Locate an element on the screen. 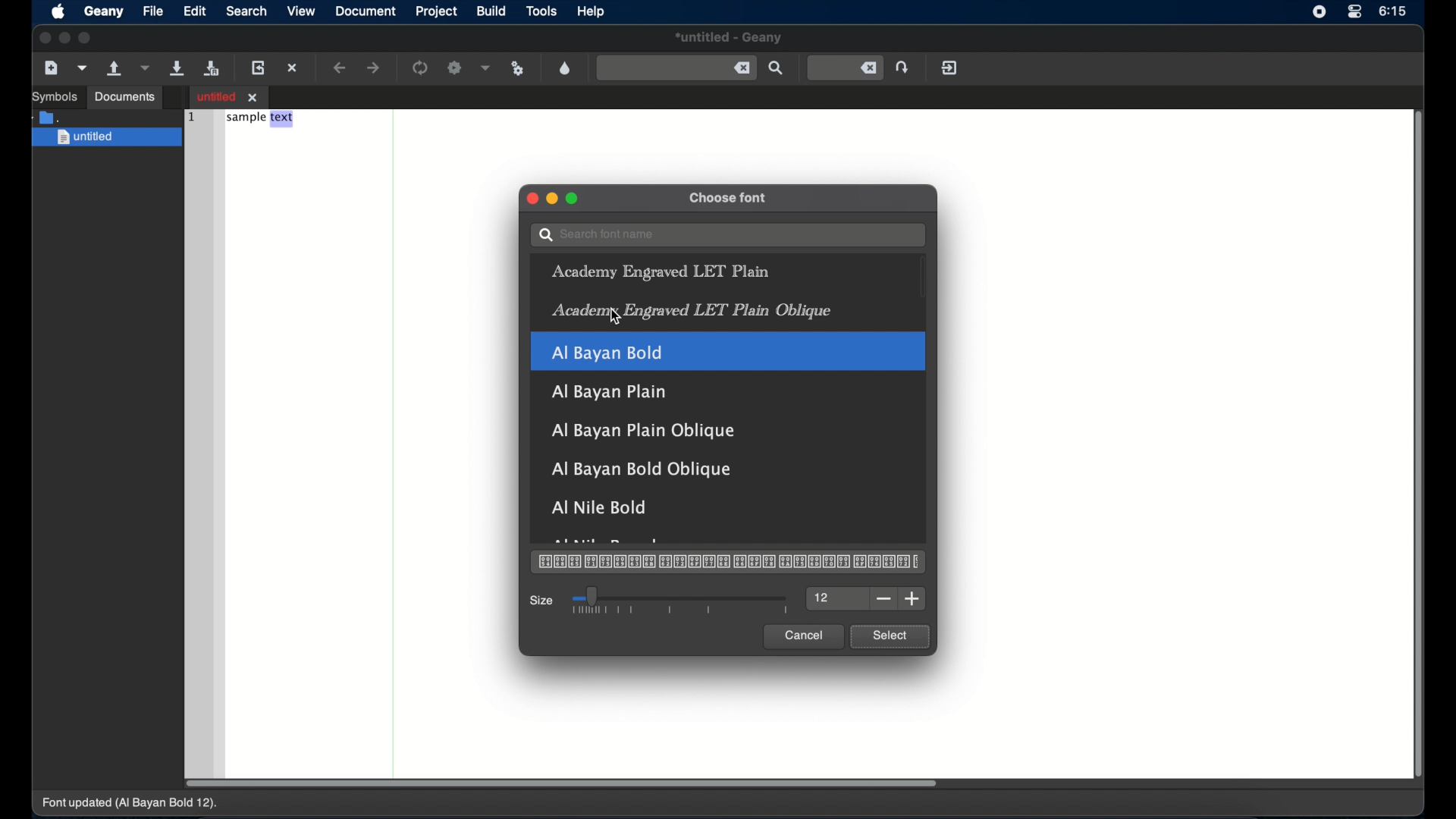 This screenshot has height=819, width=1456. choose more build actions is located at coordinates (486, 67).